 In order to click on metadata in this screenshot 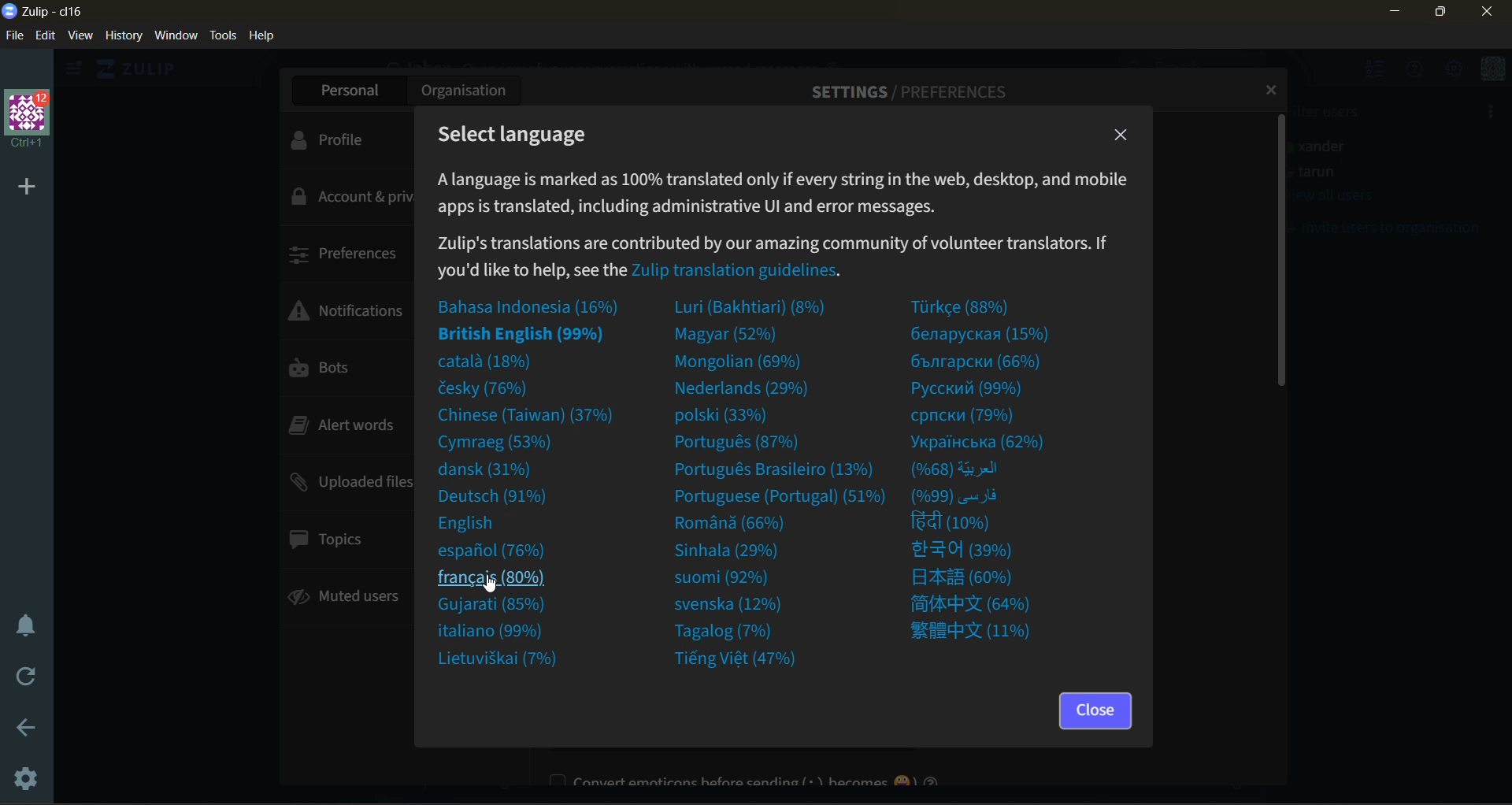, I will do `click(797, 194)`.